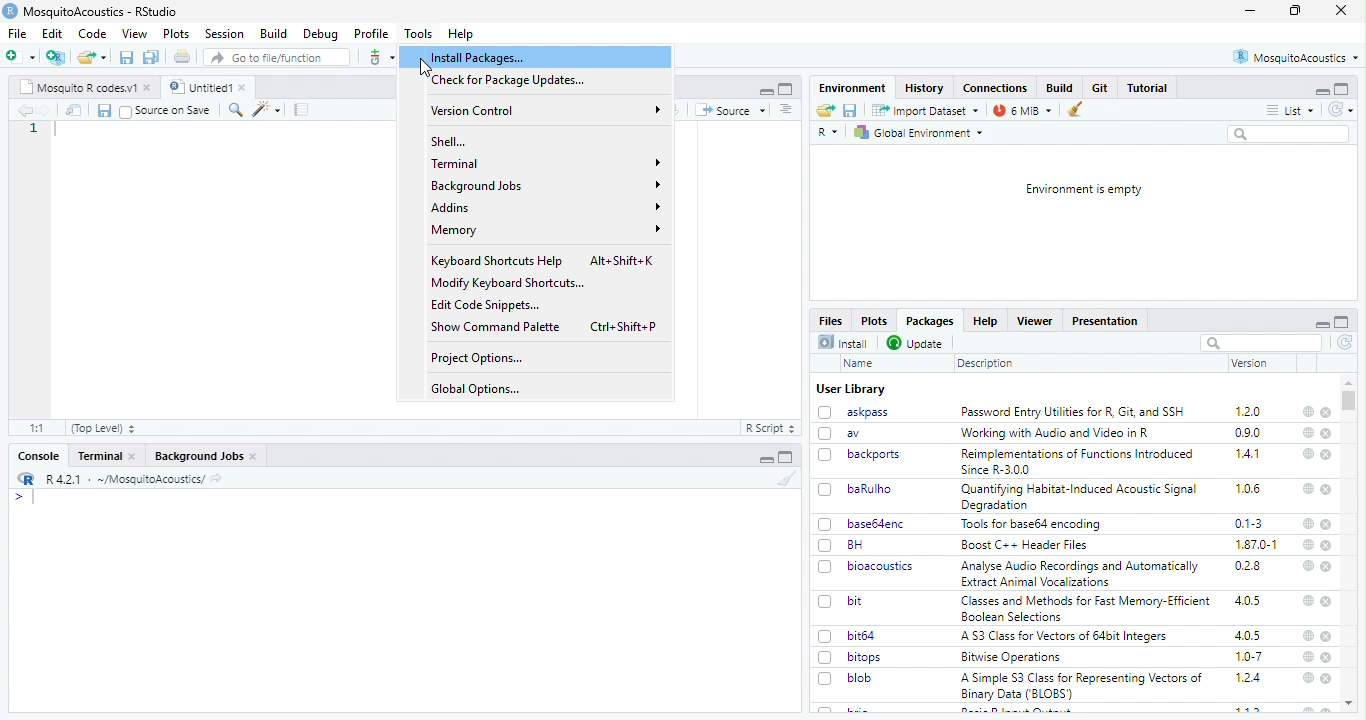 Image resolution: width=1366 pixels, height=720 pixels. What do you see at coordinates (879, 524) in the screenshot?
I see `base64enc` at bounding box center [879, 524].